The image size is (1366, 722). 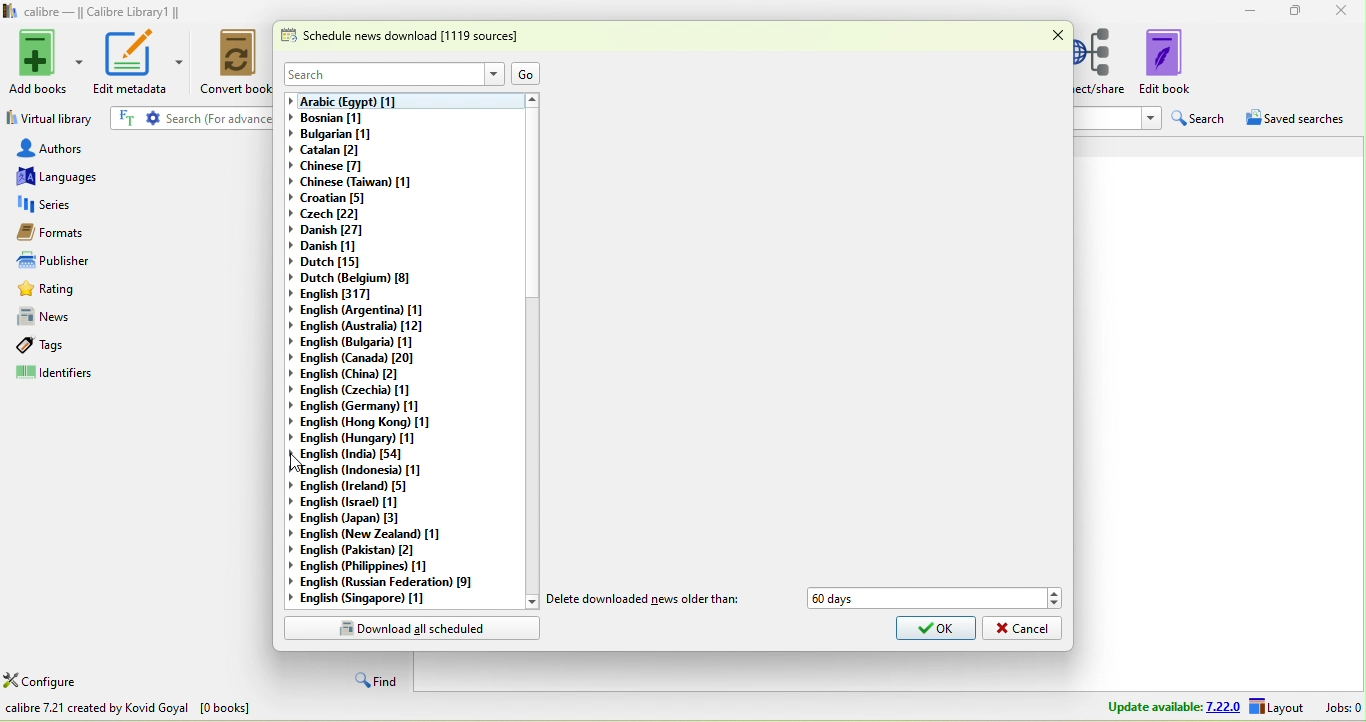 I want to click on news, so click(x=143, y=319).